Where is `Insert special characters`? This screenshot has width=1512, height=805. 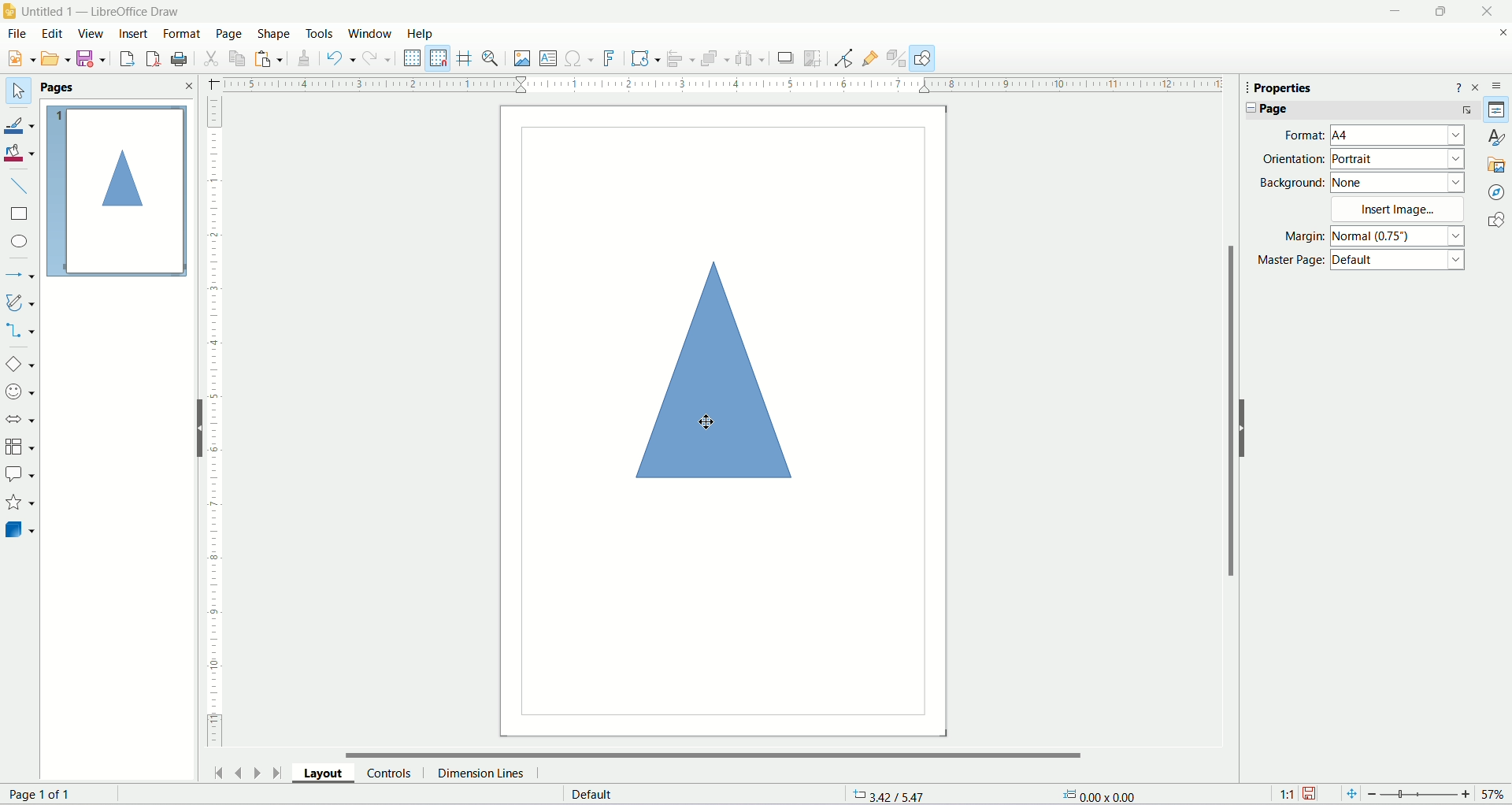
Insert special characters is located at coordinates (580, 57).